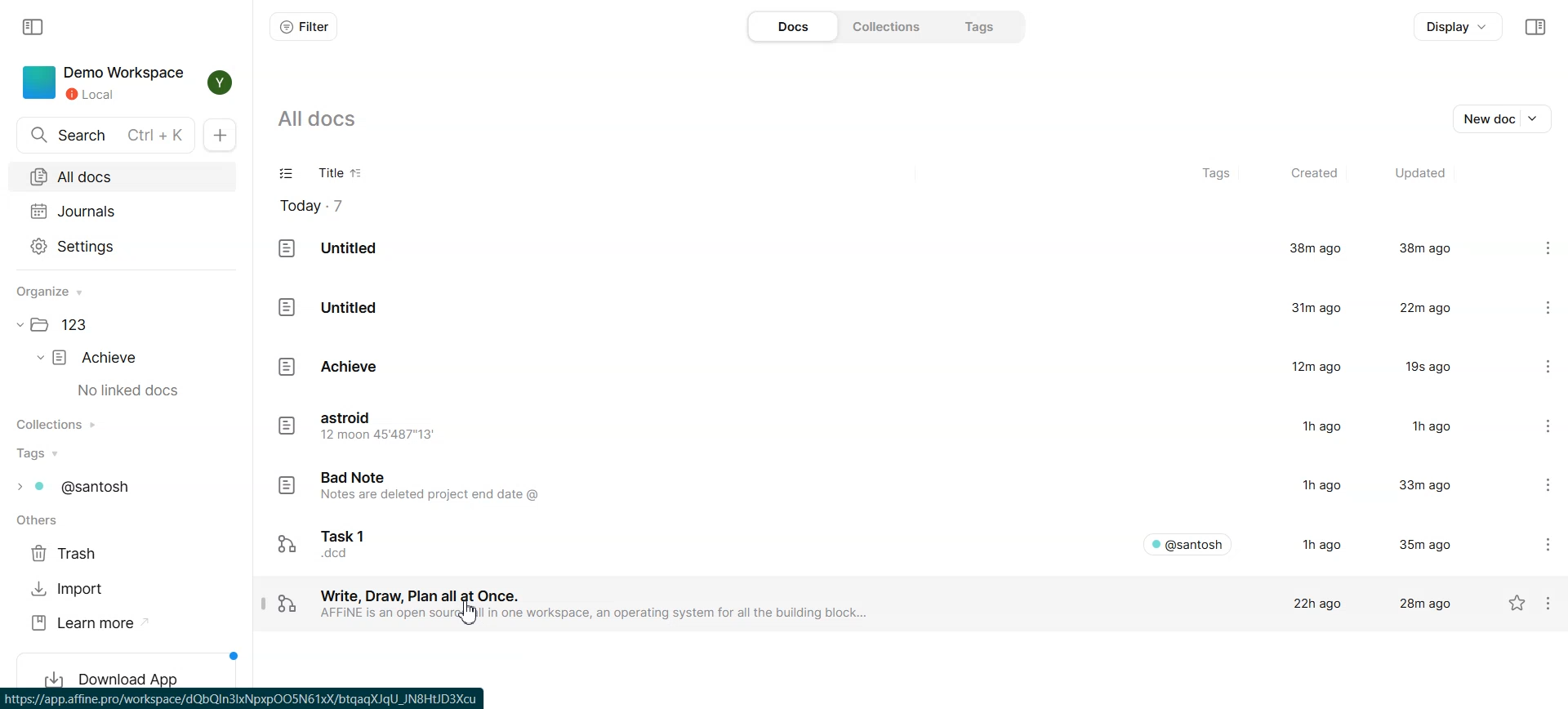 The width and height of the screenshot is (1568, 709). What do you see at coordinates (470, 612) in the screenshot?
I see `Cursor` at bounding box center [470, 612].